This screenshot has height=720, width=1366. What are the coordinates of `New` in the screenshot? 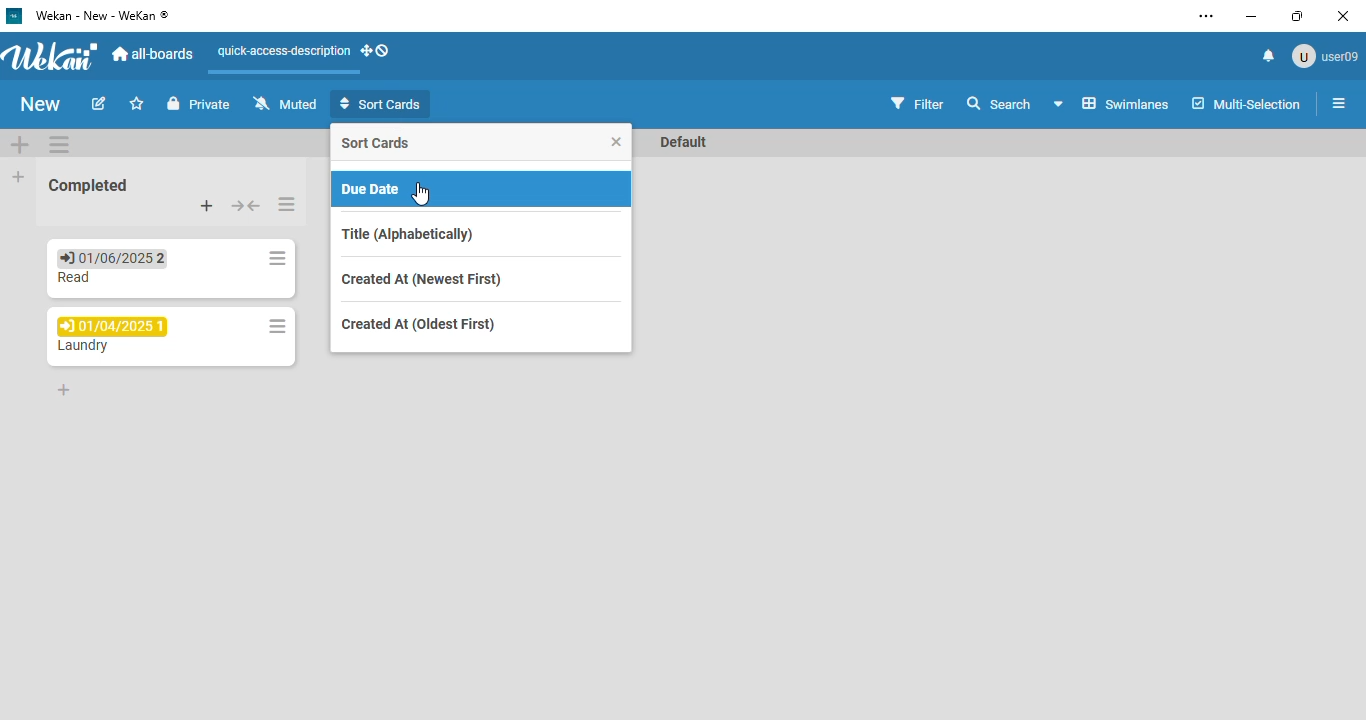 It's located at (38, 105).